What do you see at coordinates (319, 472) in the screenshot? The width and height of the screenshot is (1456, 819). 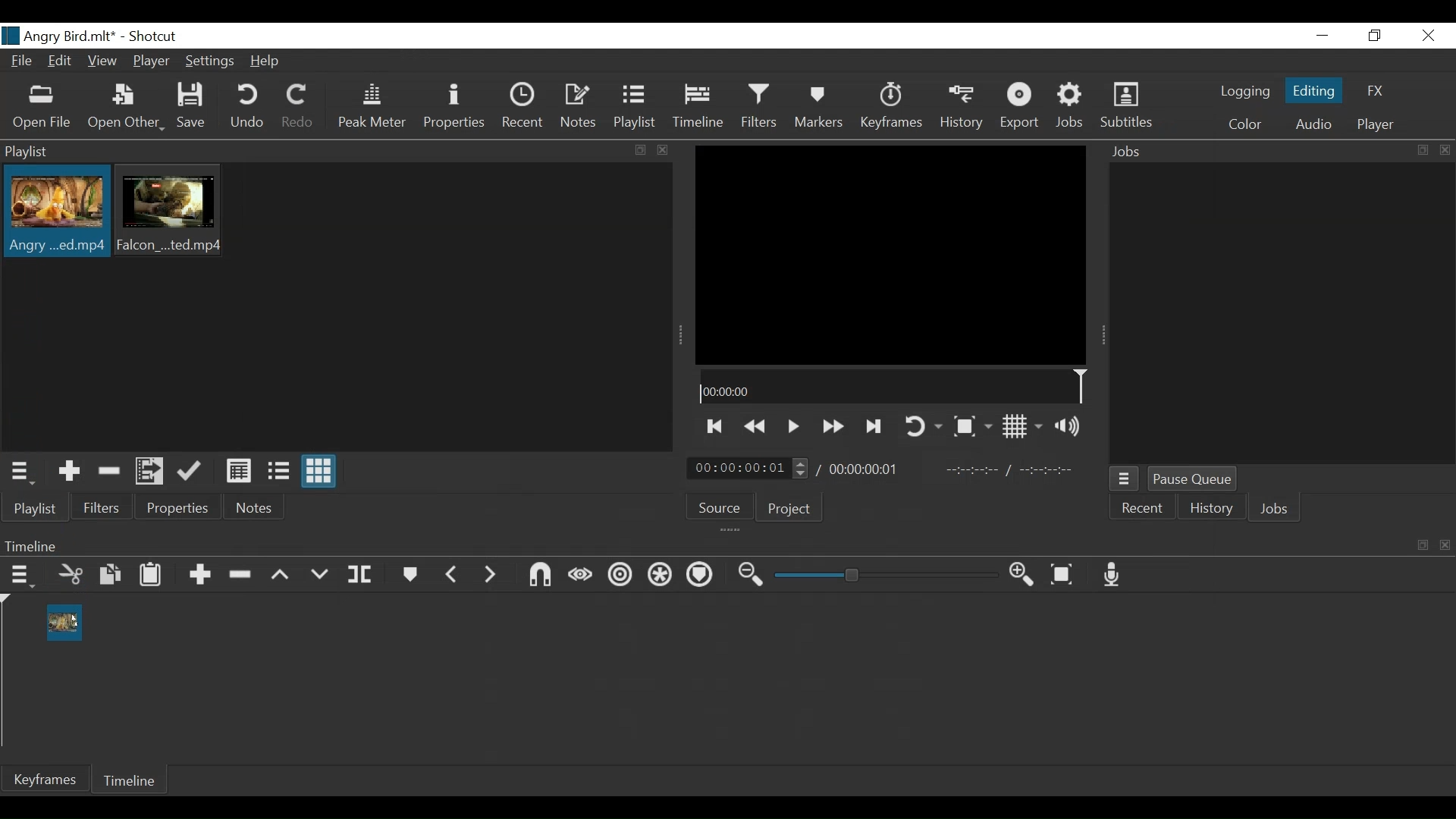 I see `View as Icon` at bounding box center [319, 472].